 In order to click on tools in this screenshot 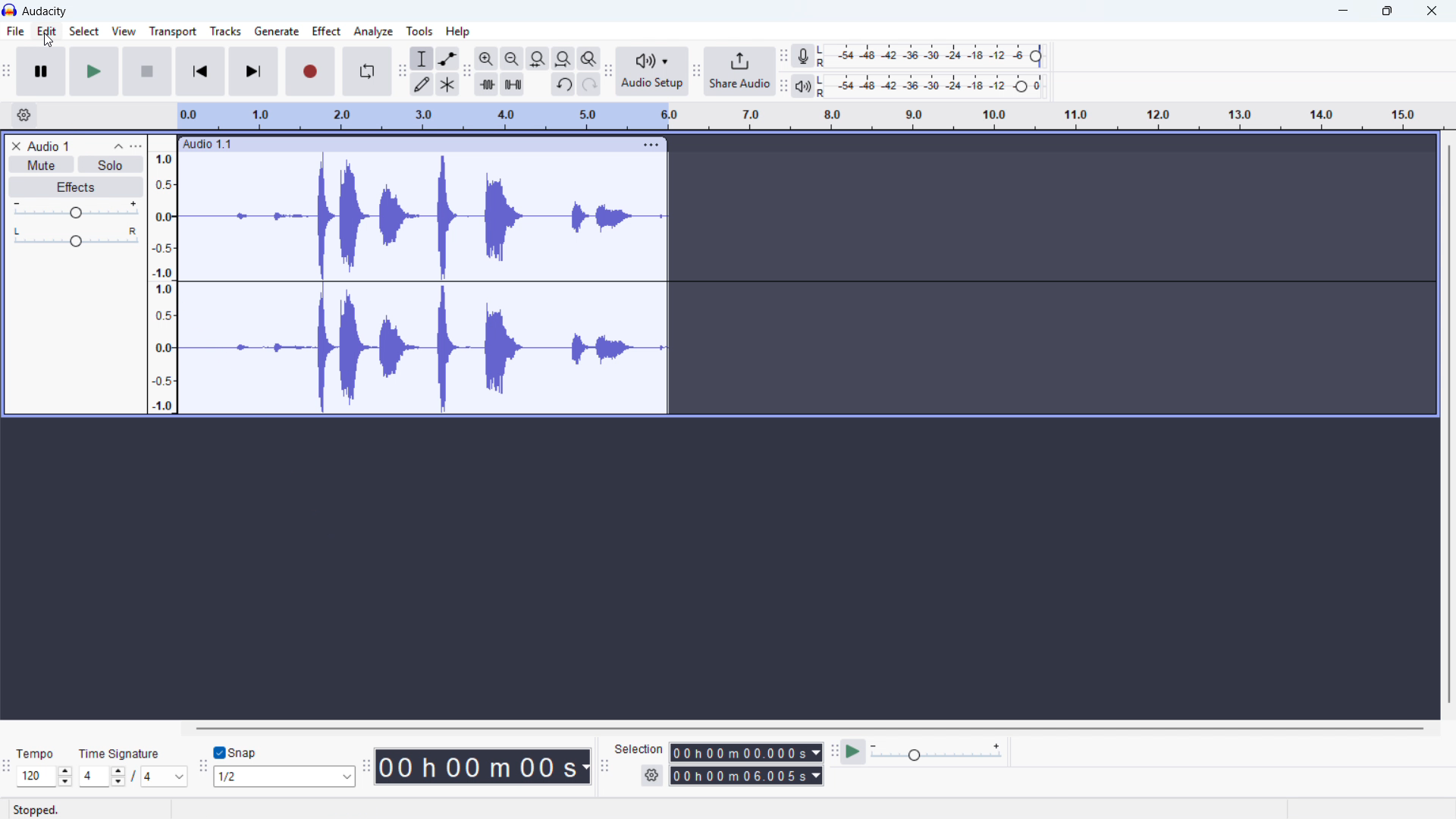, I will do `click(419, 30)`.